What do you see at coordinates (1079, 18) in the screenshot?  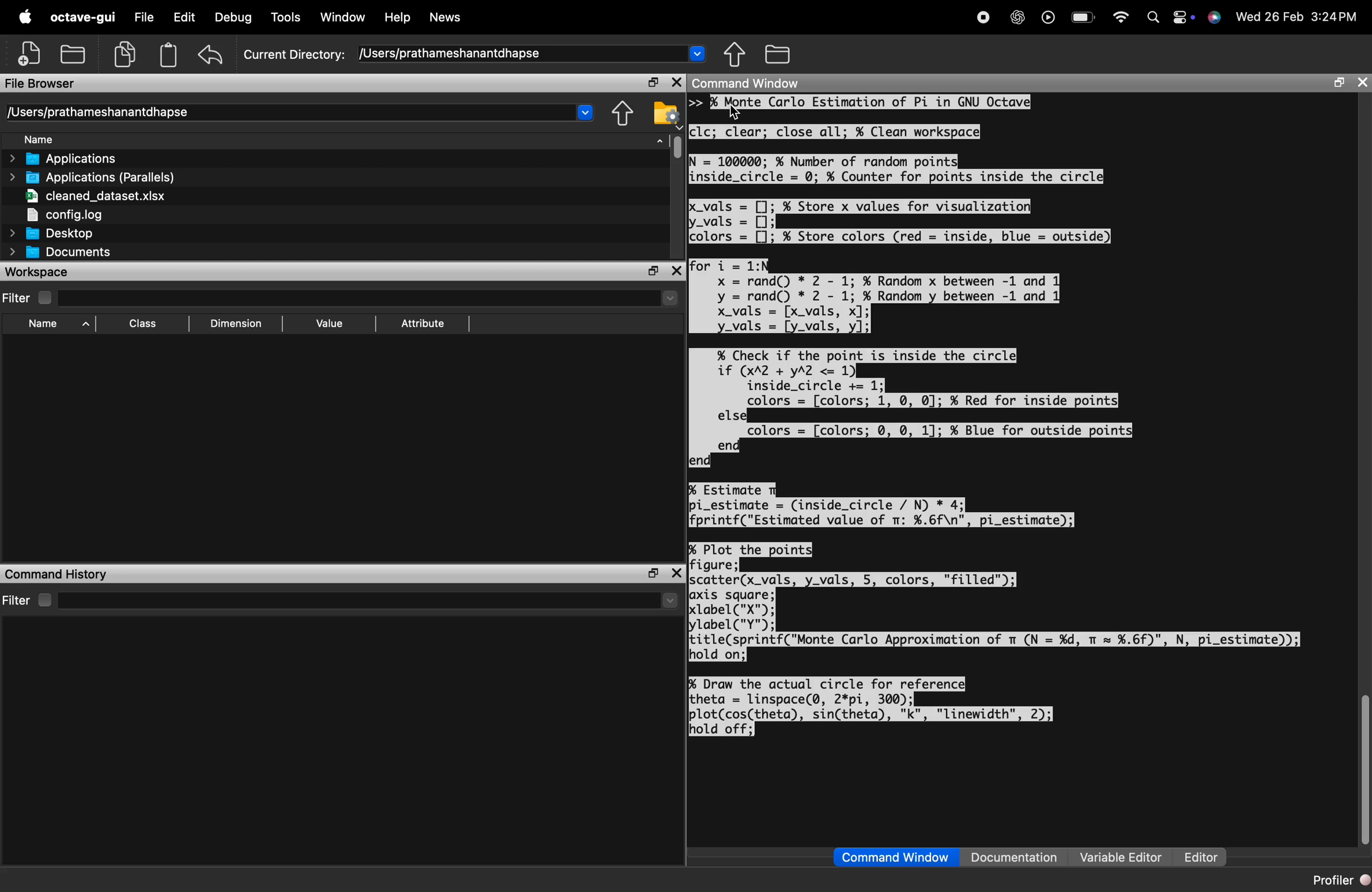 I see `battery` at bounding box center [1079, 18].